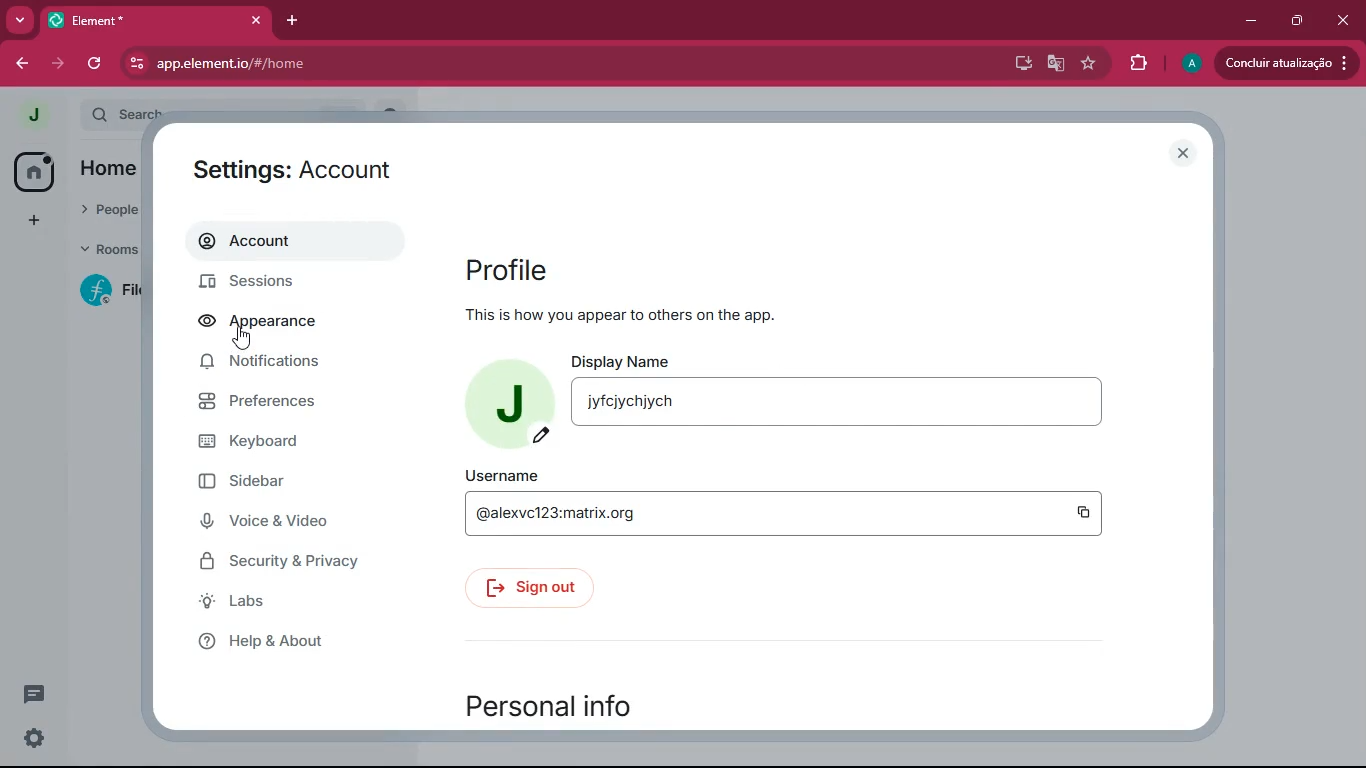 The image size is (1366, 768). What do you see at coordinates (269, 323) in the screenshot?
I see `appearance` at bounding box center [269, 323].